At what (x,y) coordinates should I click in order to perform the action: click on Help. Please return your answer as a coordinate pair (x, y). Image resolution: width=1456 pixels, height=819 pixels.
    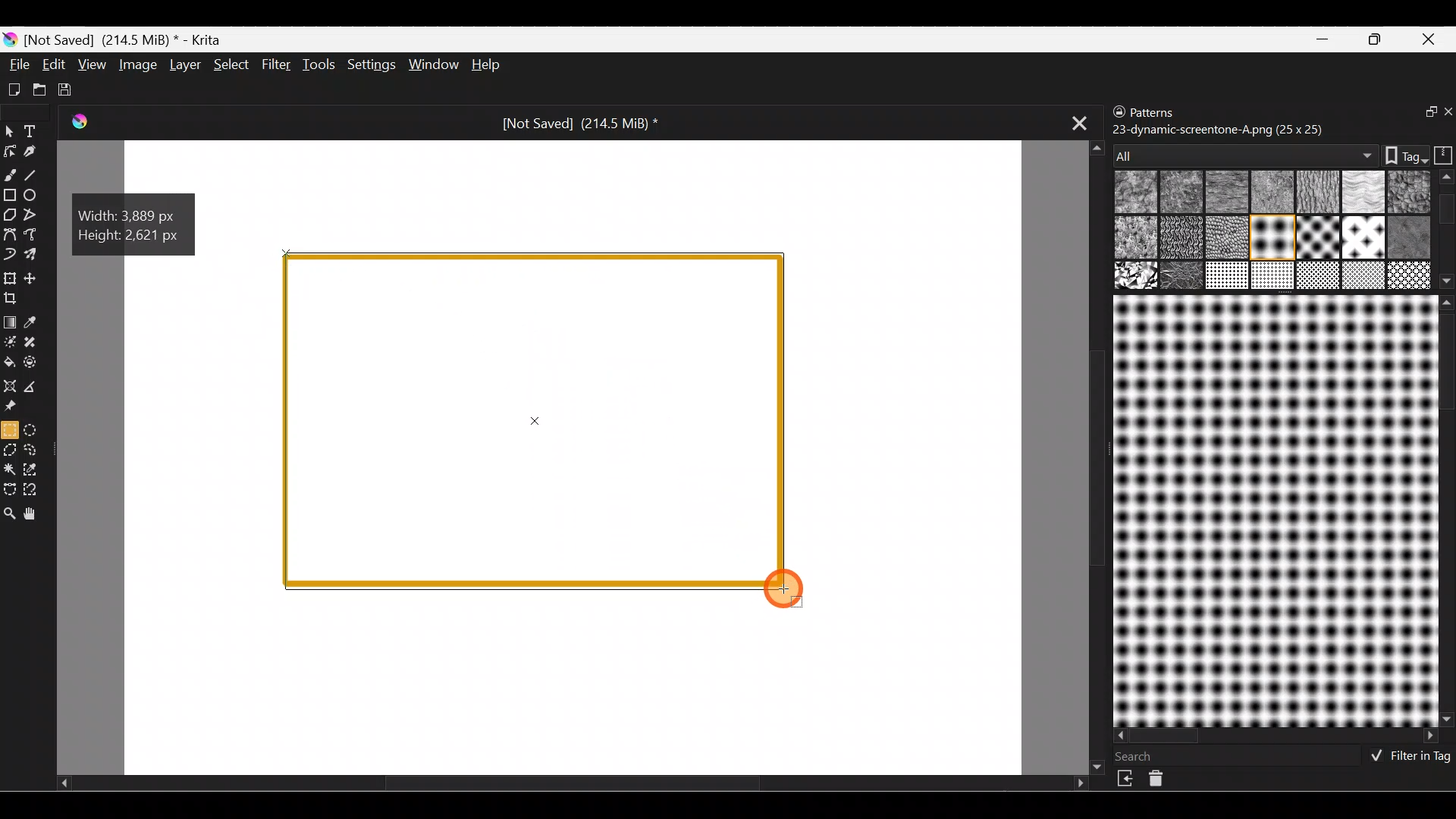
    Looking at the image, I should click on (488, 64).